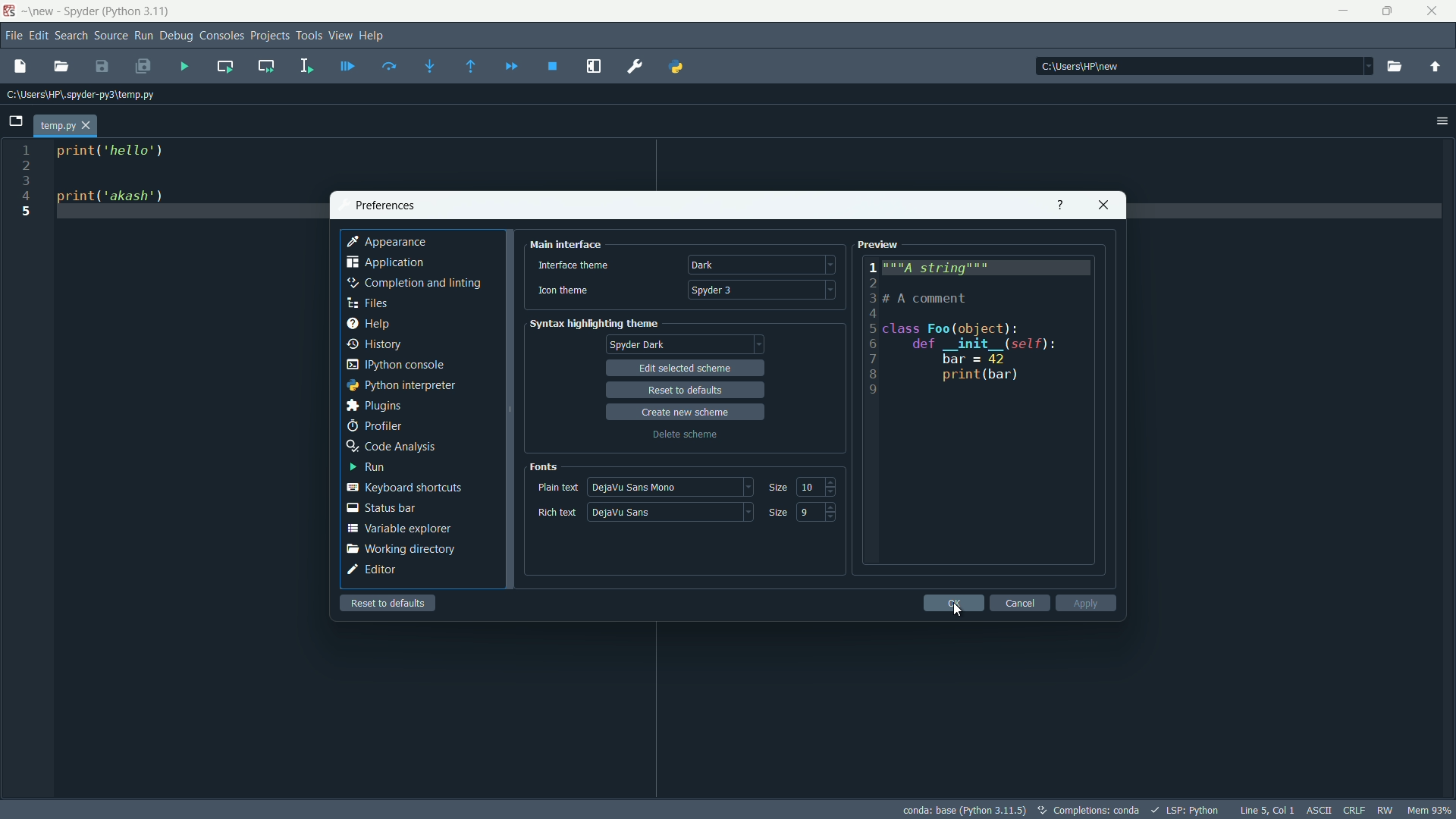 Image resolution: width=1456 pixels, height=819 pixels. What do you see at coordinates (190, 188) in the screenshot?
I see `print('hello') print('akash')` at bounding box center [190, 188].